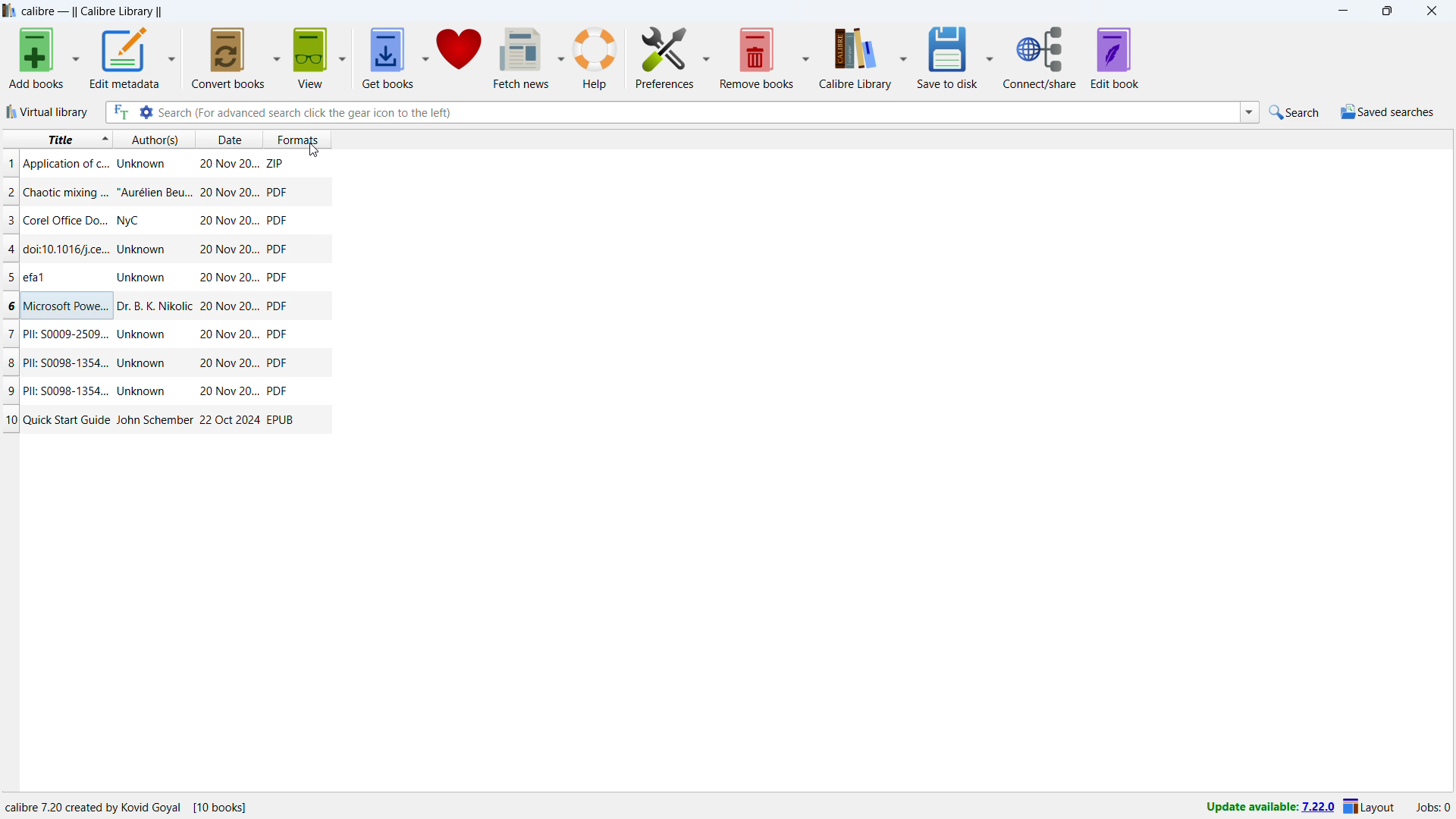 This screenshot has height=819, width=1456. Describe the element at coordinates (707, 58) in the screenshot. I see `preferences options` at that location.